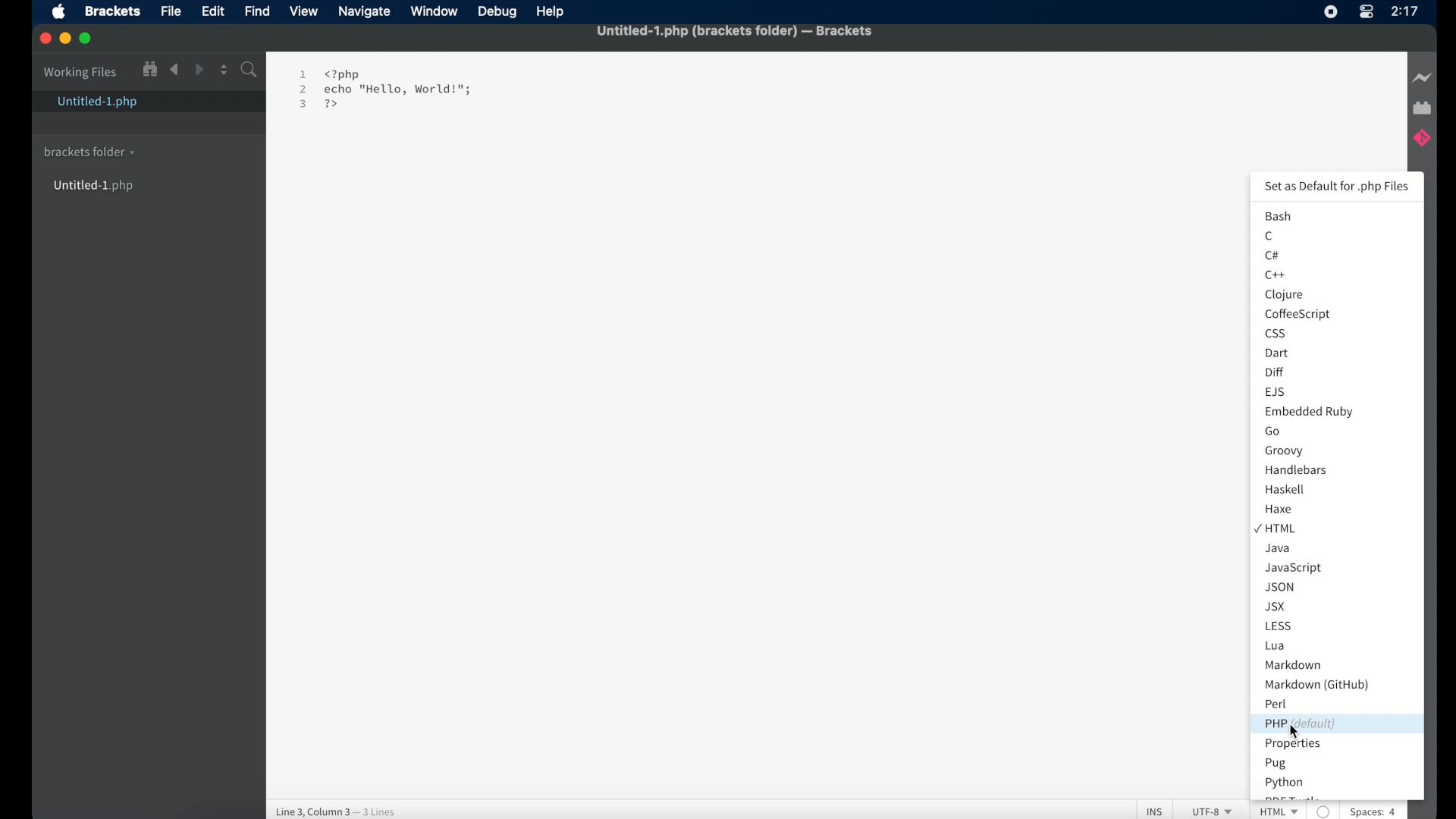 Image resolution: width=1456 pixels, height=819 pixels. Describe the element at coordinates (1297, 469) in the screenshot. I see `handlebars` at that location.